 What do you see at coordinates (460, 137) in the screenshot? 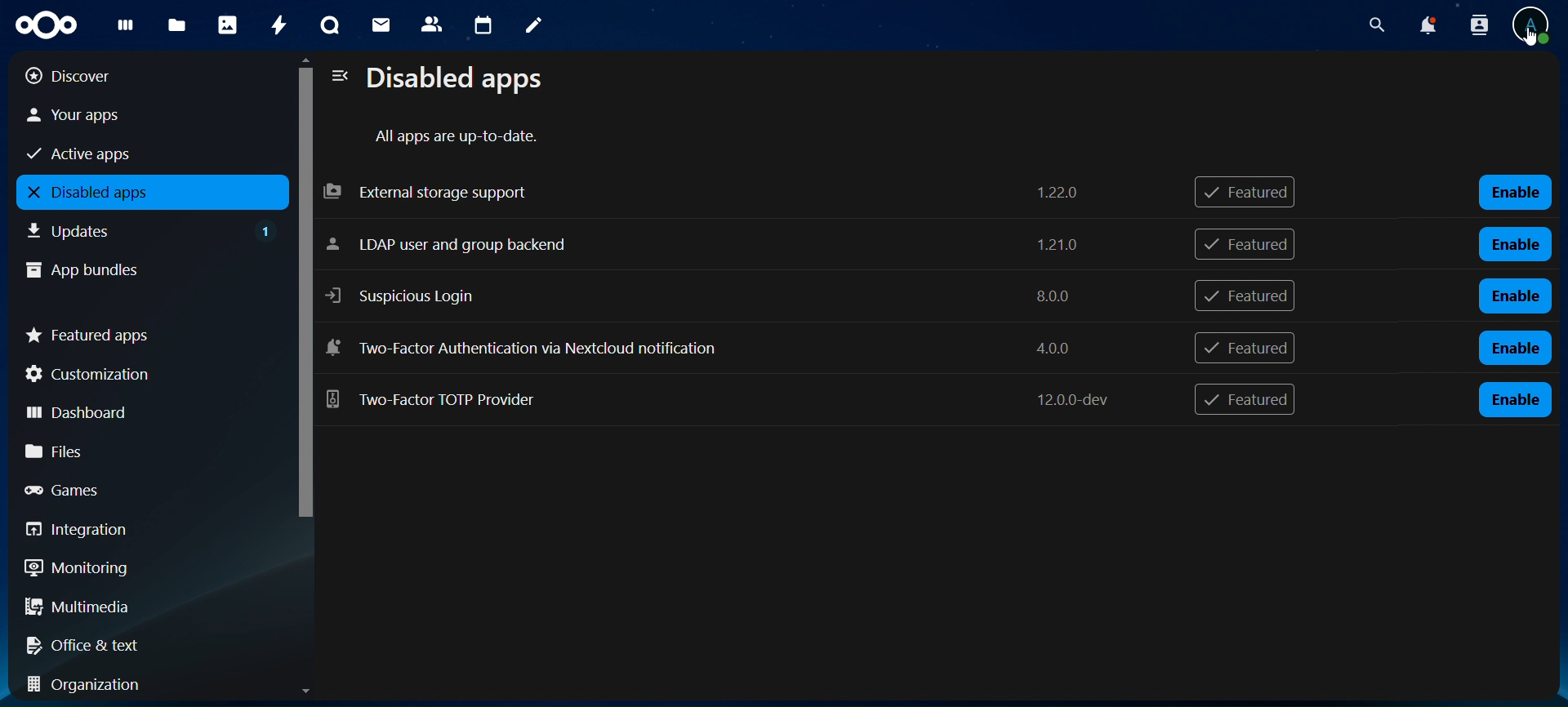
I see `all apps are up to date` at bounding box center [460, 137].